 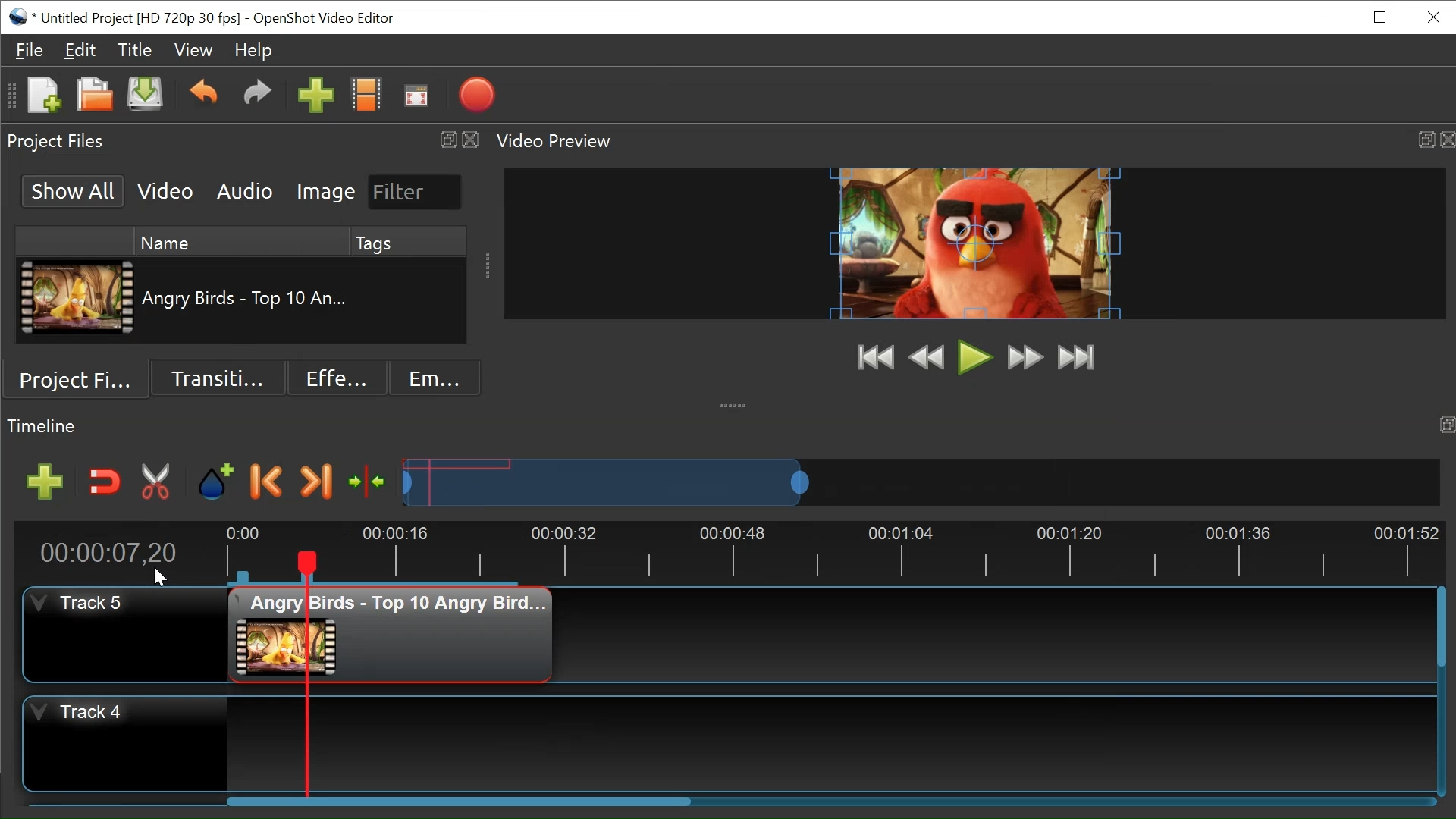 What do you see at coordinates (19, 17) in the screenshot?
I see `Openshot Desktop icon` at bounding box center [19, 17].